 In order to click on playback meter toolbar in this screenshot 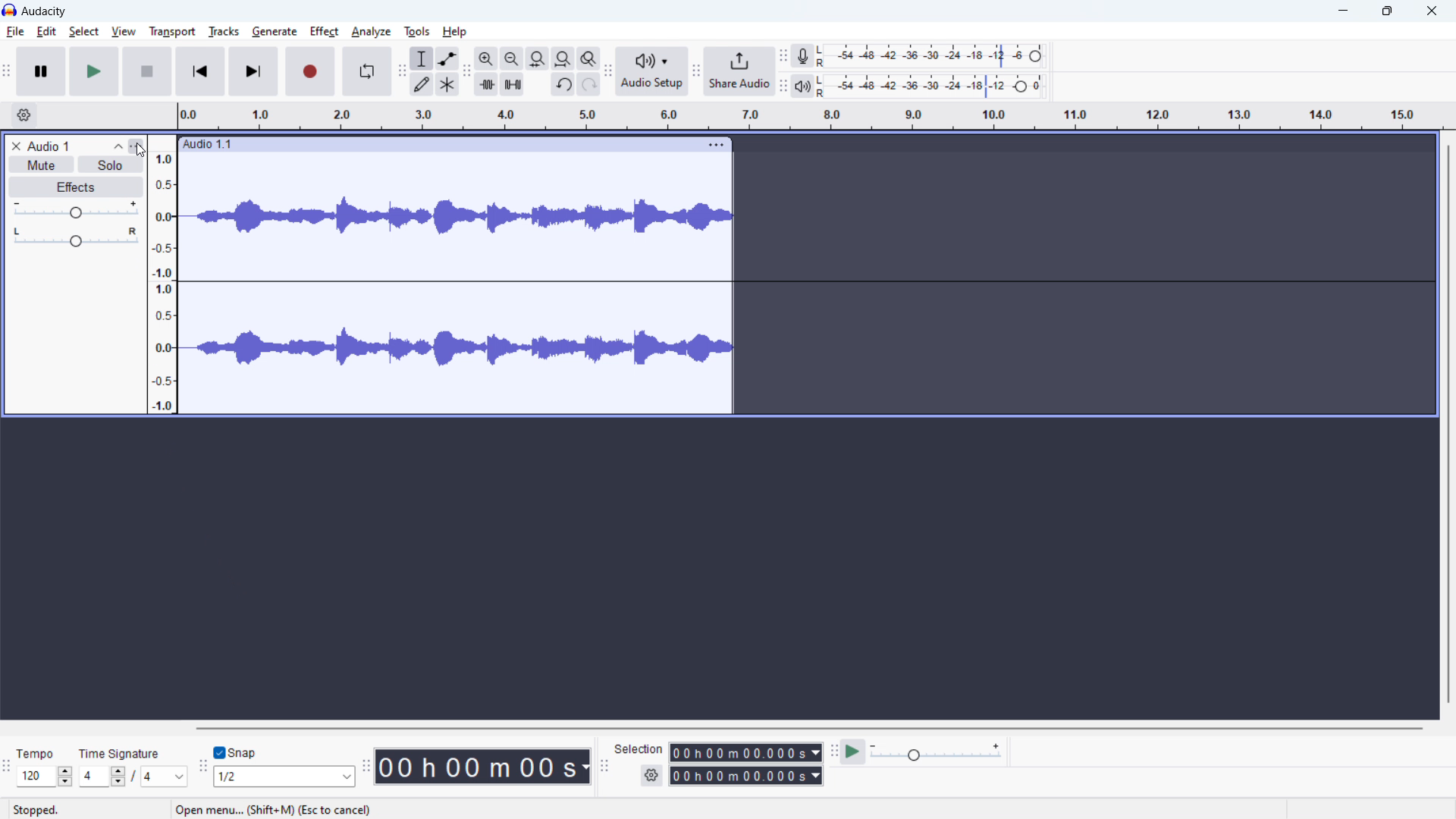, I will do `click(784, 86)`.